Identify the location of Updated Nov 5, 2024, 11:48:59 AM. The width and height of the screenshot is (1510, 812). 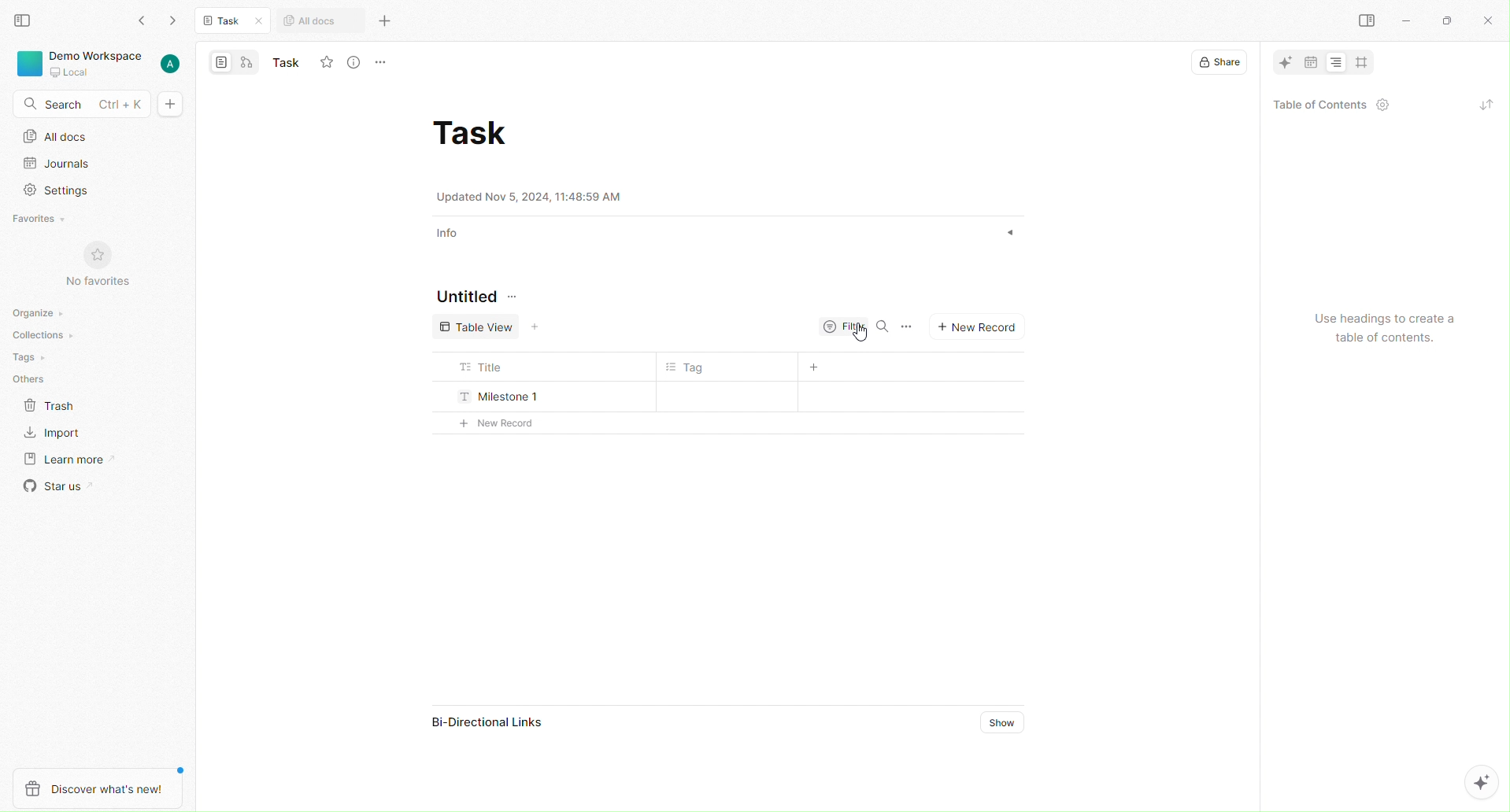
(539, 197).